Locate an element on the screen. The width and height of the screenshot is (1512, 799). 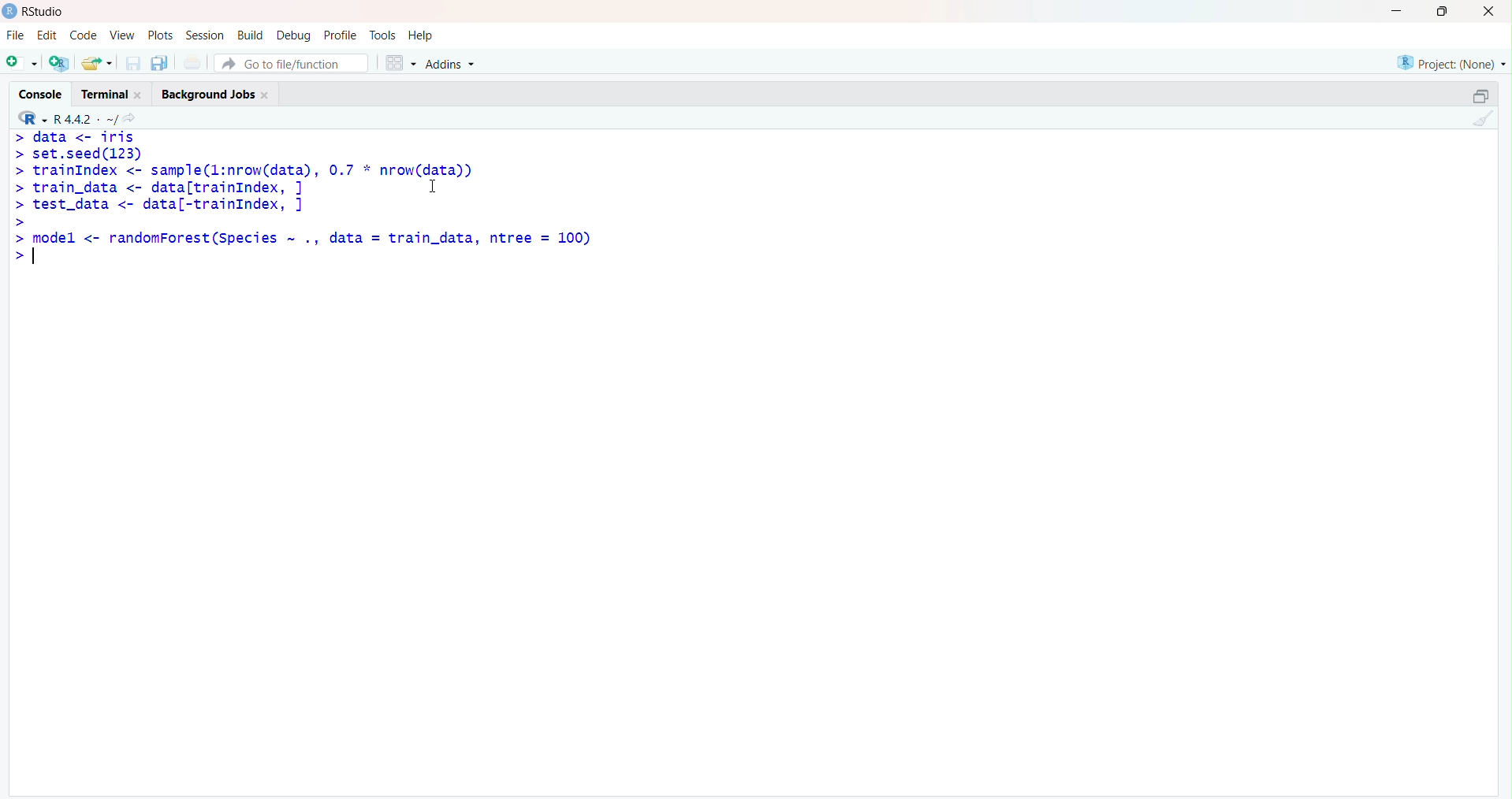
Open an existing file (Ctrl + O) is located at coordinates (99, 63).